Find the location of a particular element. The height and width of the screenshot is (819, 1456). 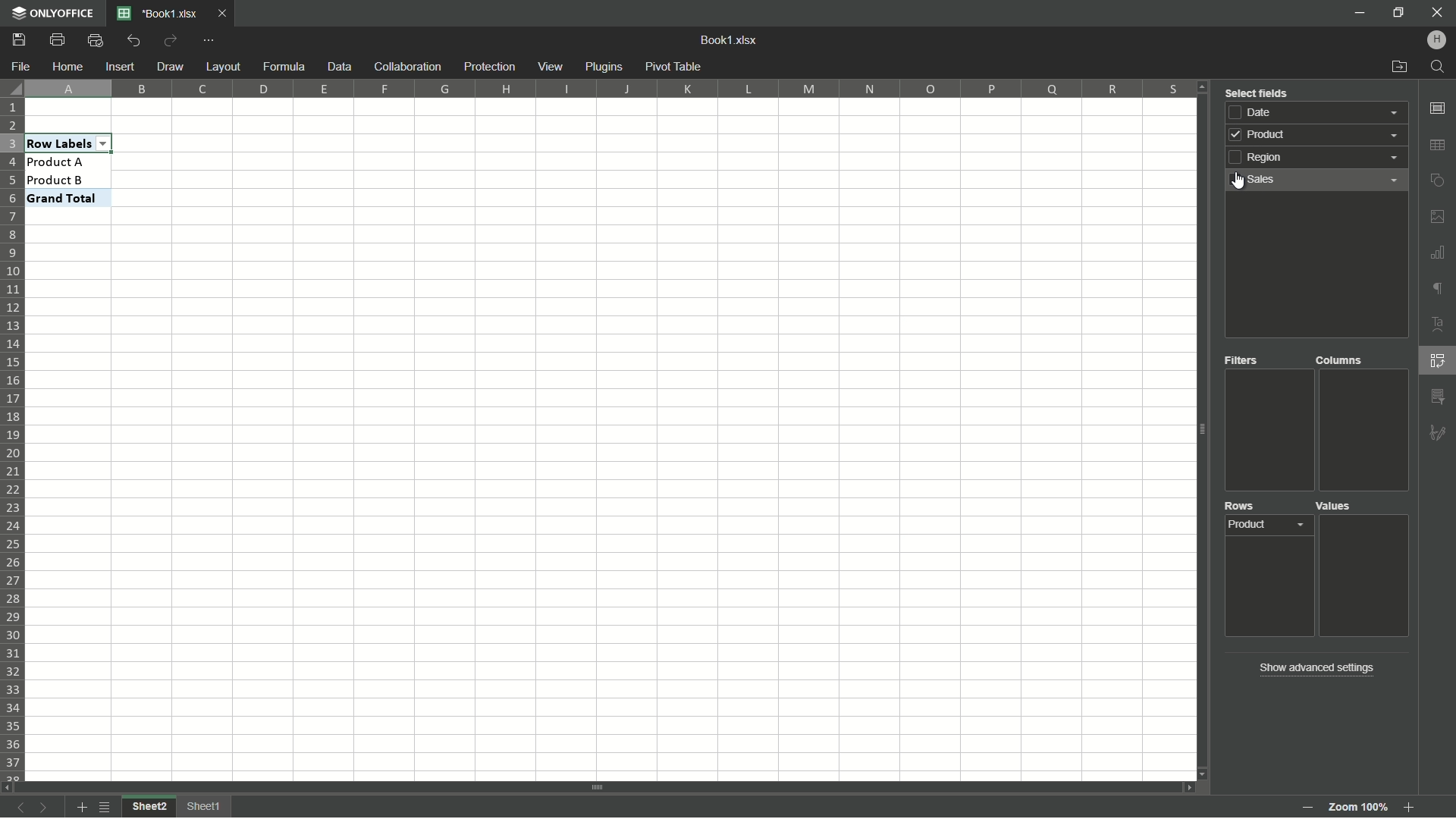

book1.xlsx is located at coordinates (731, 40).